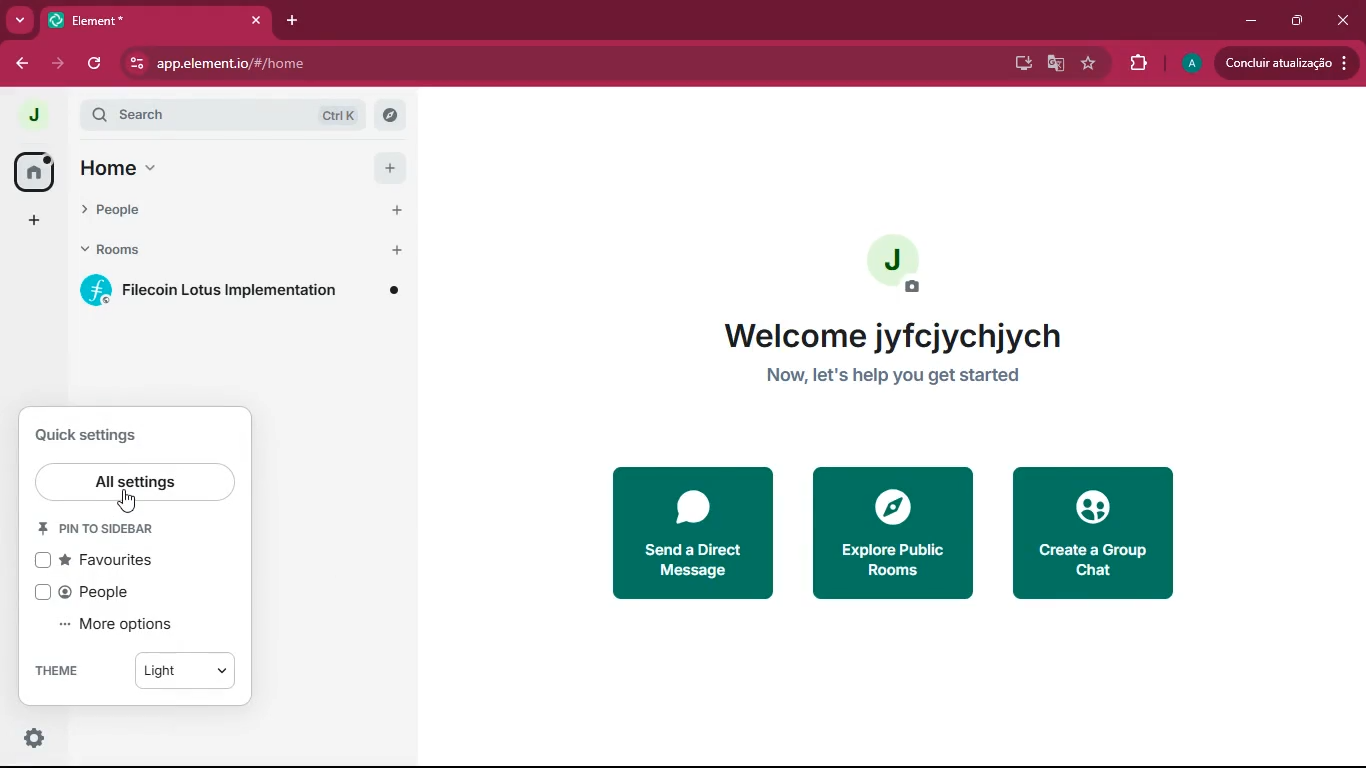 The image size is (1366, 768). Describe the element at coordinates (68, 672) in the screenshot. I see `theme` at that location.